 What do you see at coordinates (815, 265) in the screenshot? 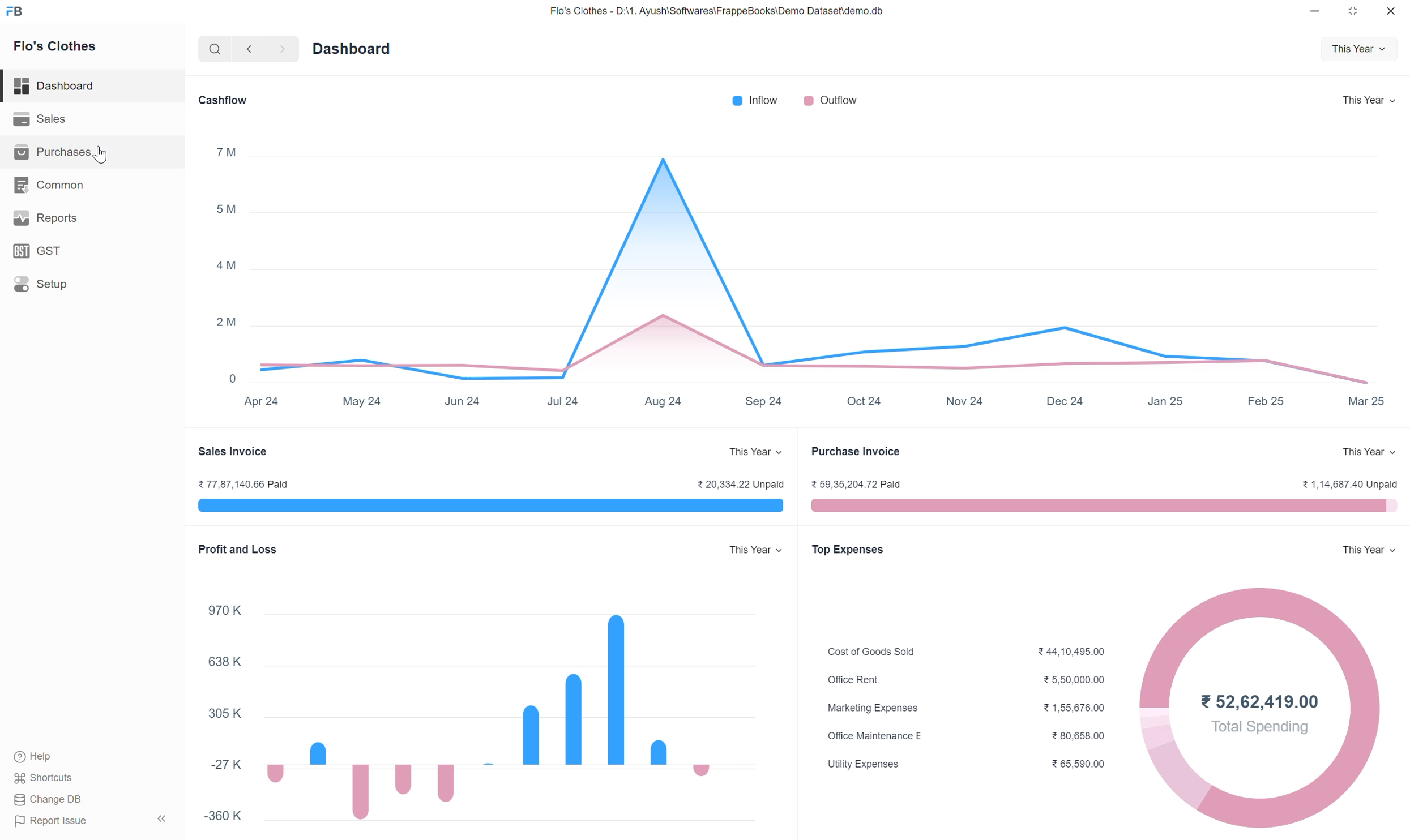
I see `area line chart` at bounding box center [815, 265].